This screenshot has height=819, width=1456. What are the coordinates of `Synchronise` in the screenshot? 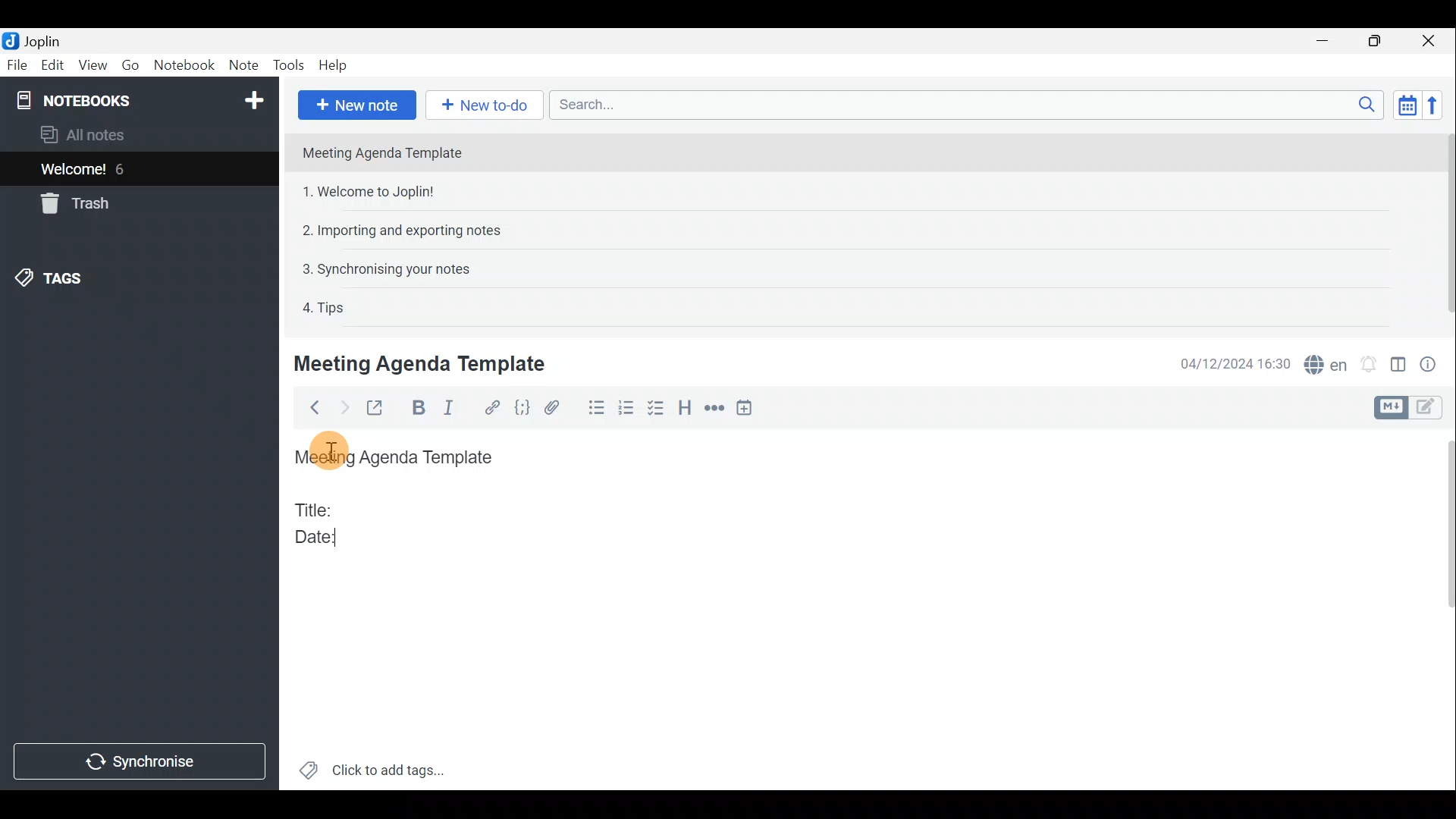 It's located at (140, 761).